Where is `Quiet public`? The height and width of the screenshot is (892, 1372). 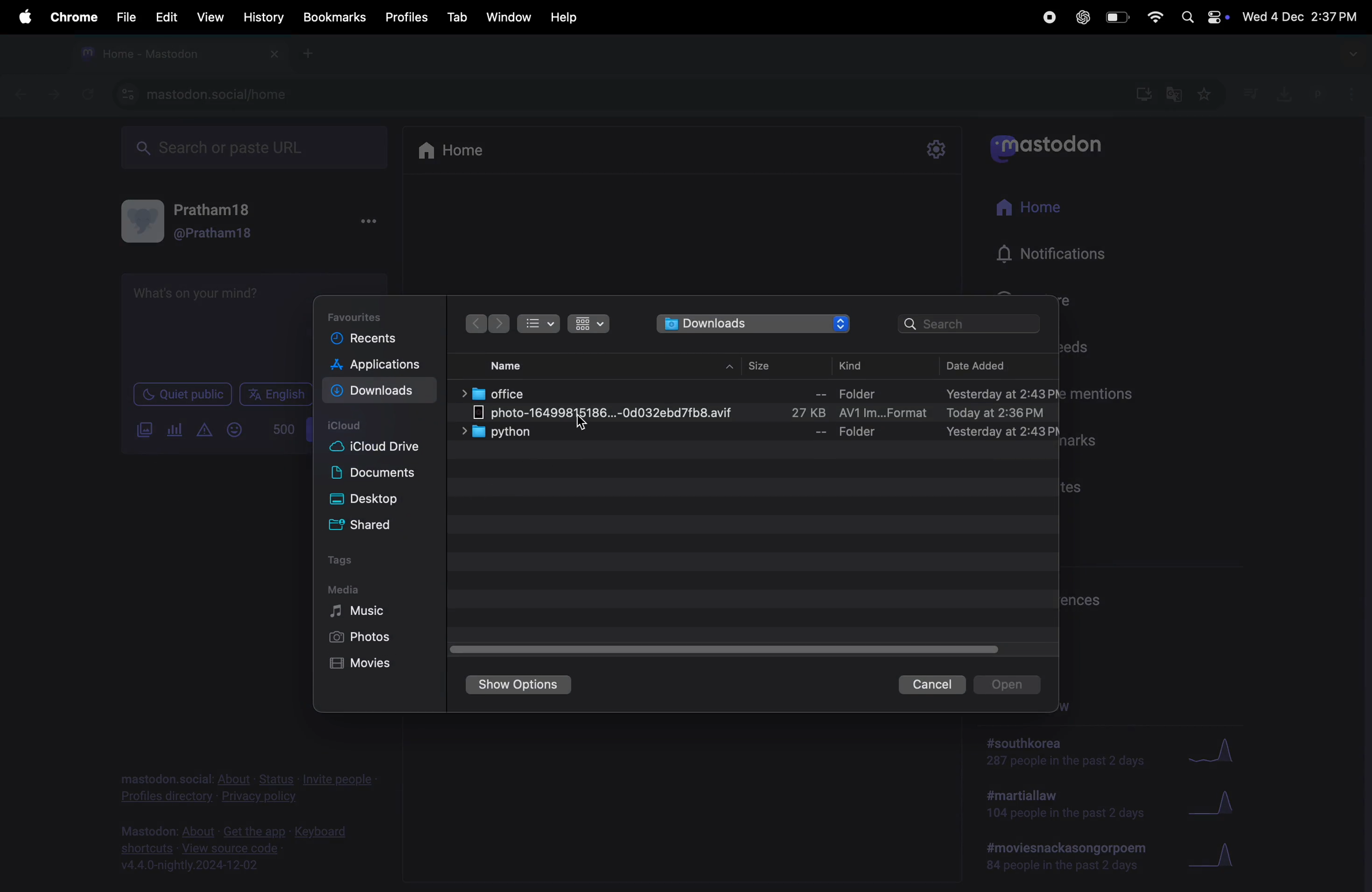
Quiet public is located at coordinates (182, 393).